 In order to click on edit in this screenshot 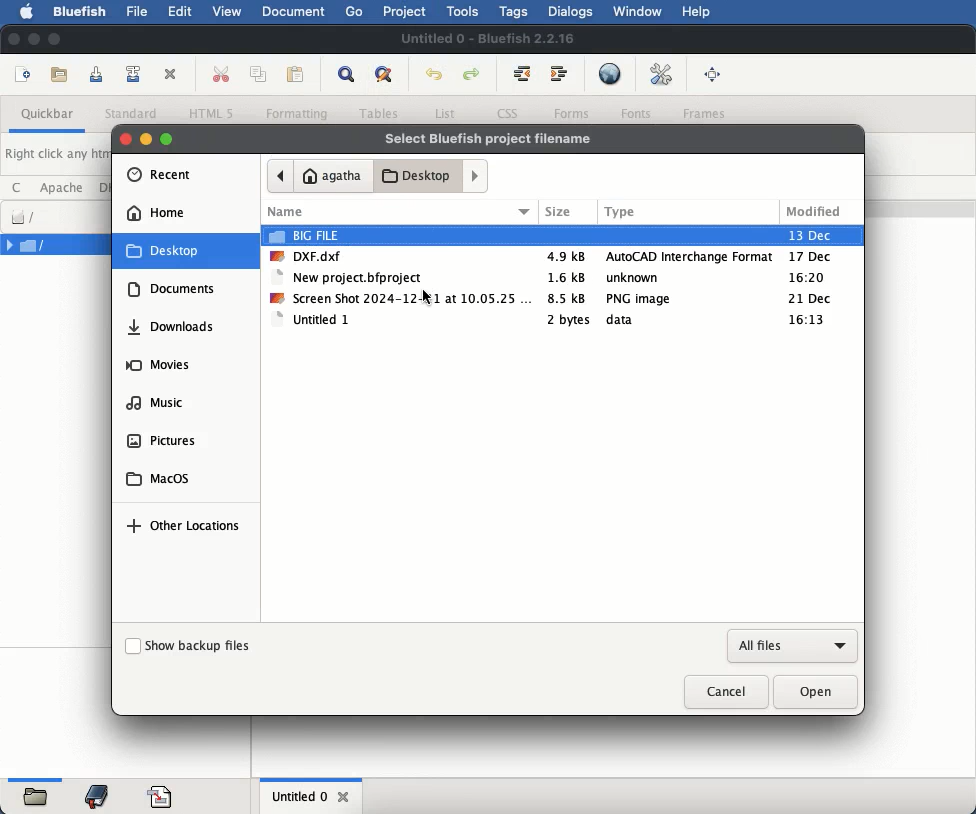, I will do `click(182, 10)`.